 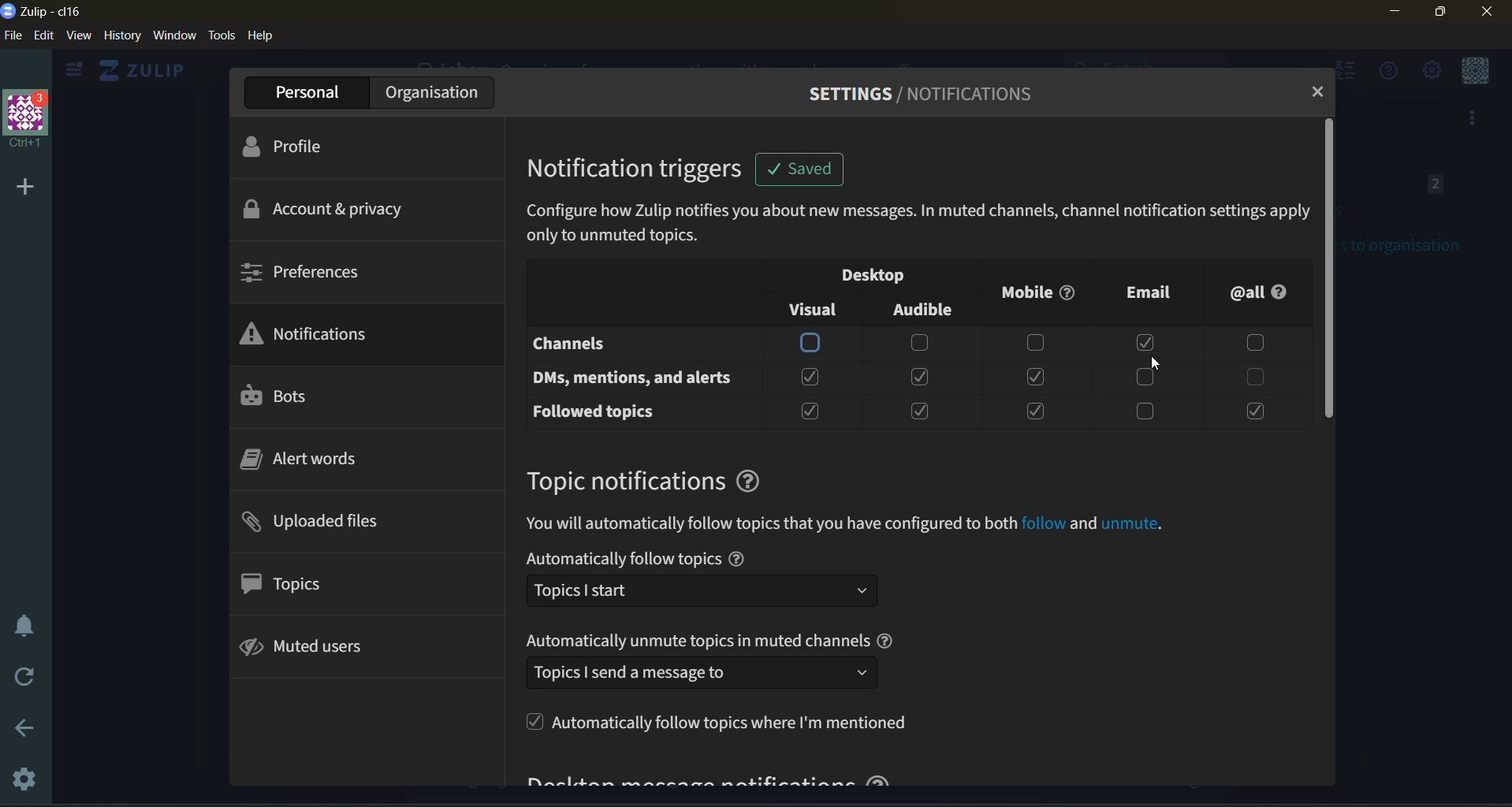 What do you see at coordinates (42, 35) in the screenshot?
I see `edit` at bounding box center [42, 35].